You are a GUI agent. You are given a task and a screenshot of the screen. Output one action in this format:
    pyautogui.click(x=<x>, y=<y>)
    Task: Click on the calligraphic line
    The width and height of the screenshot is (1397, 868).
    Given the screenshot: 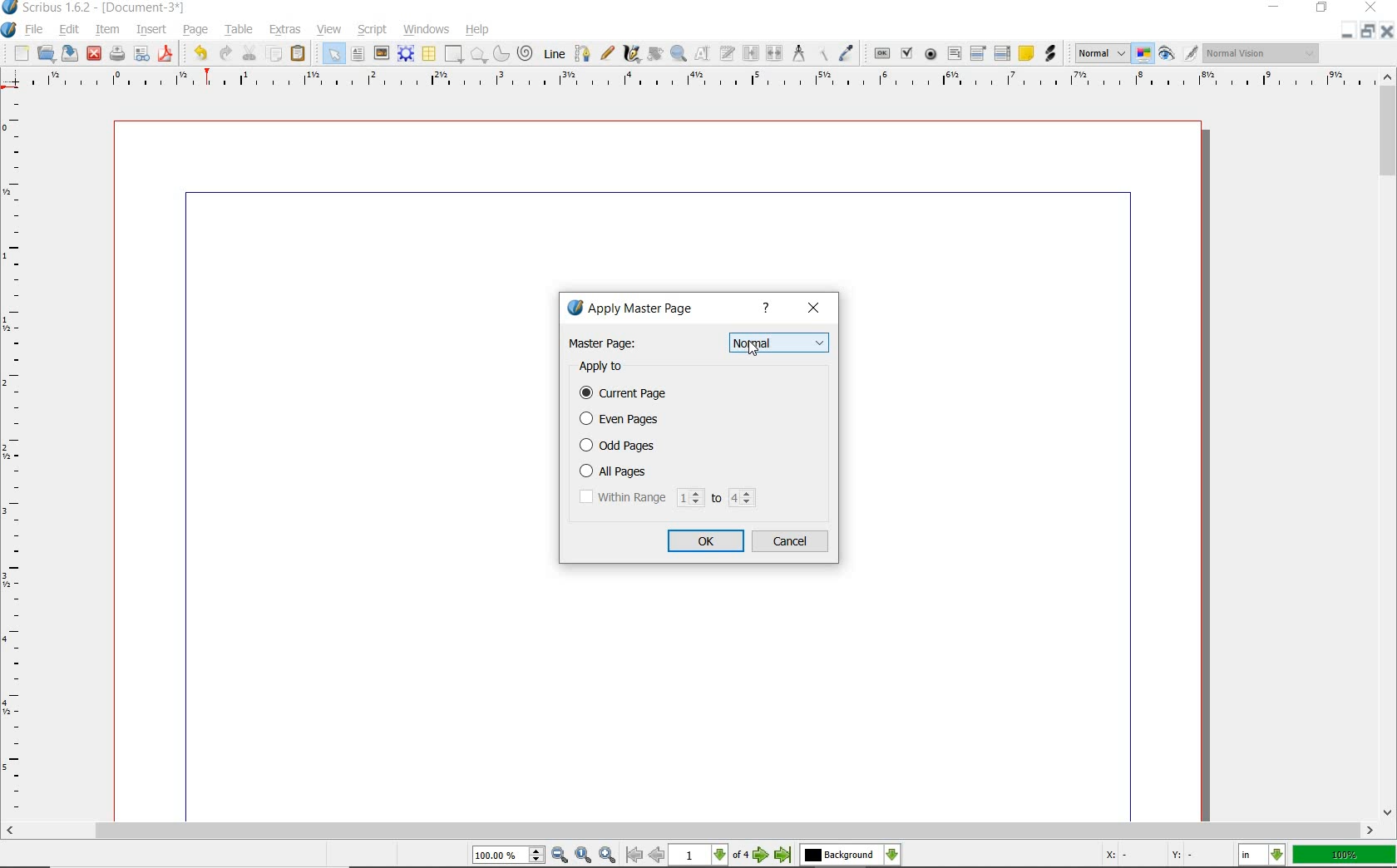 What is the action you would take?
    pyautogui.click(x=632, y=55)
    